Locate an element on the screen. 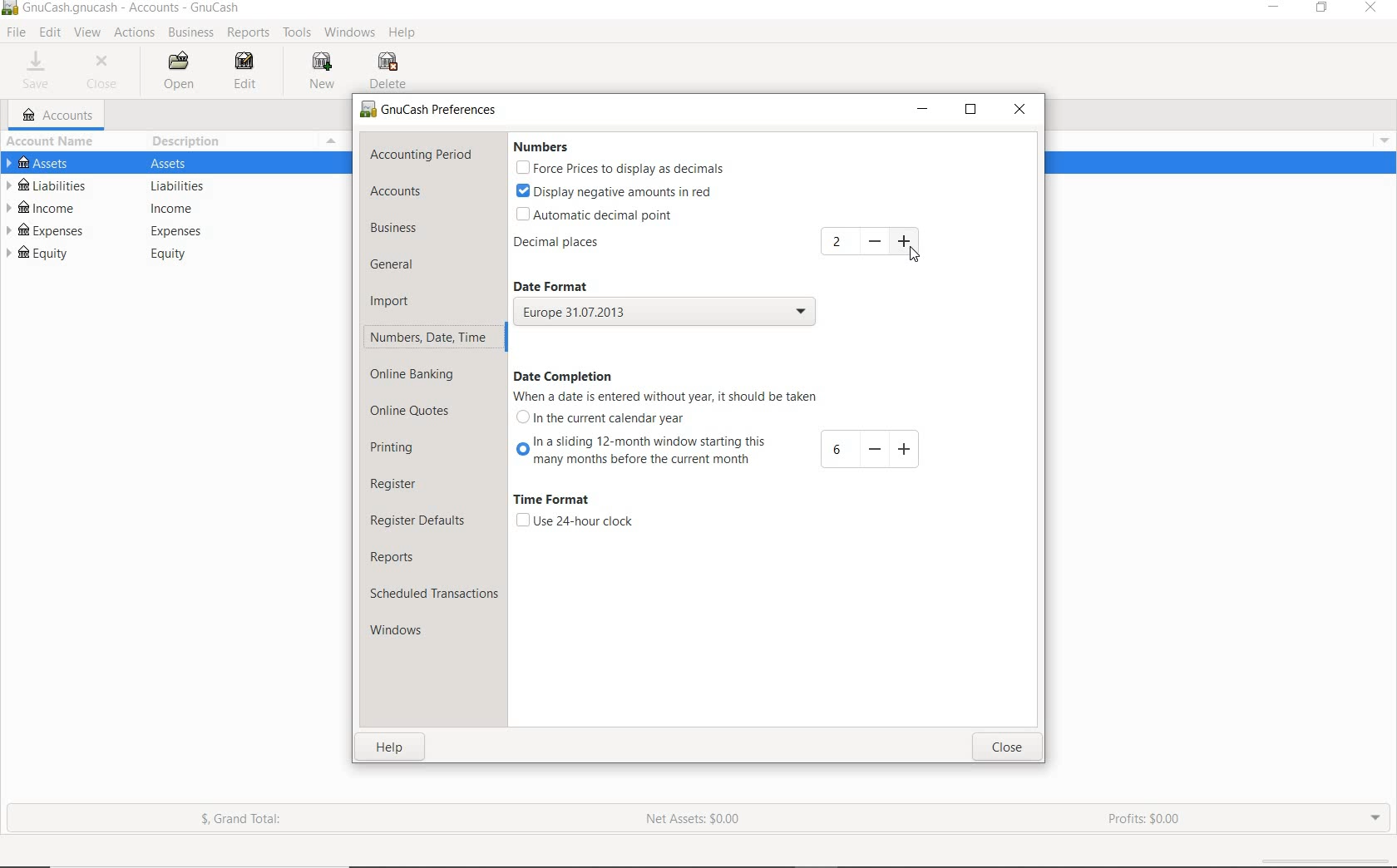  numbers is located at coordinates (546, 147).